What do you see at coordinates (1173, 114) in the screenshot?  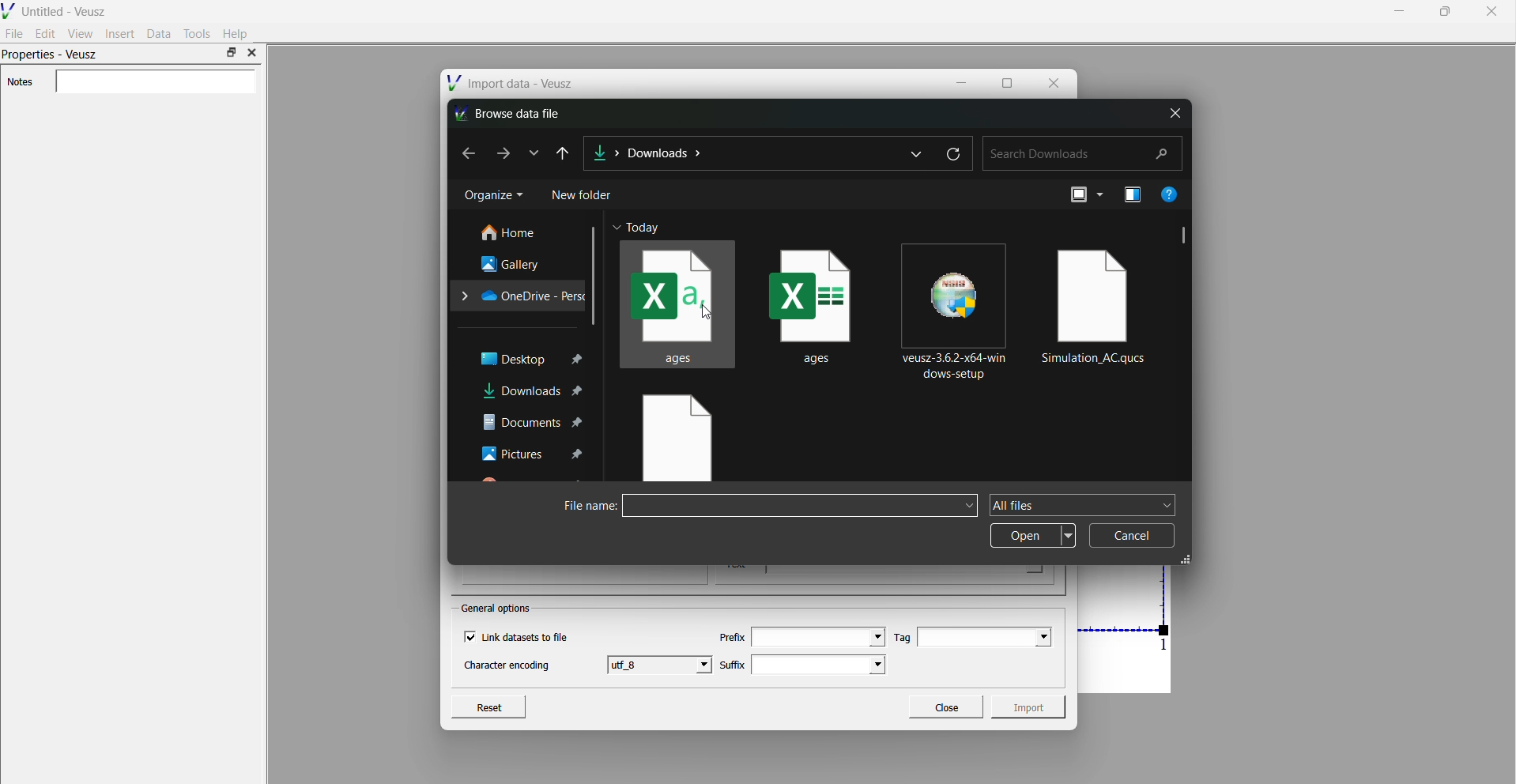 I see `close` at bounding box center [1173, 114].